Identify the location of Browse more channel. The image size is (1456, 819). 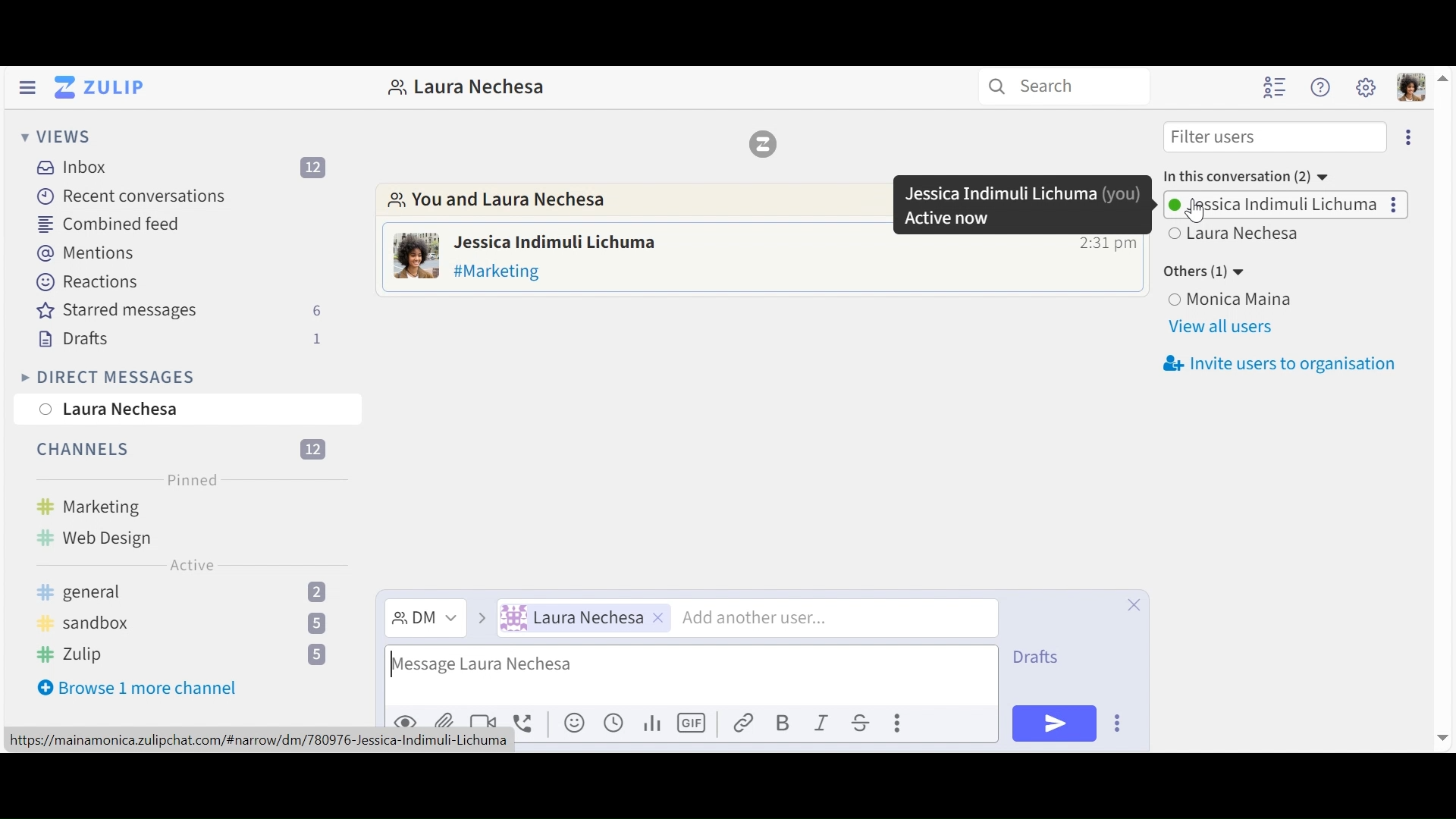
(139, 691).